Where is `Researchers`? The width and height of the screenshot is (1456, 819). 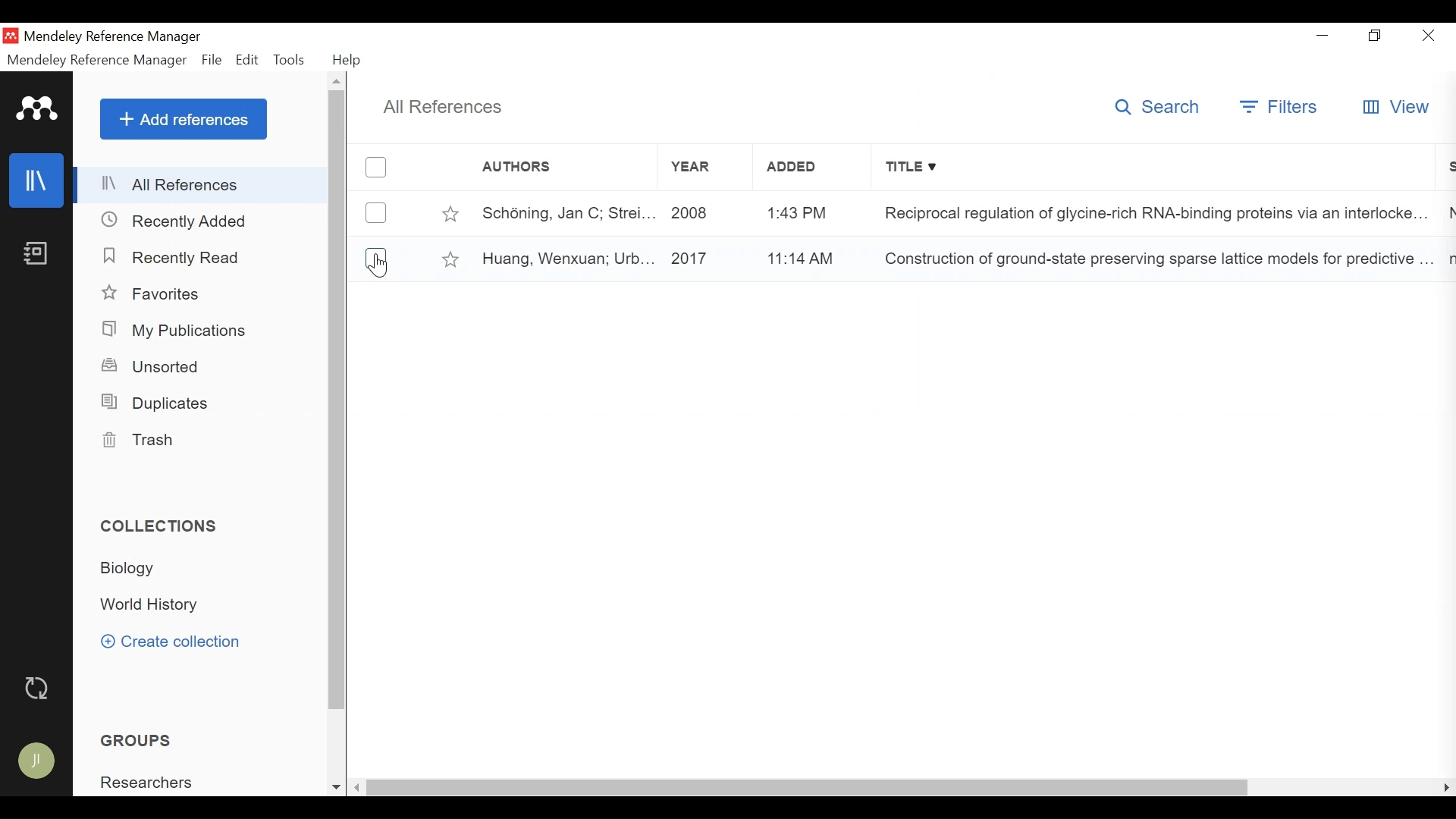
Researchers is located at coordinates (154, 786).